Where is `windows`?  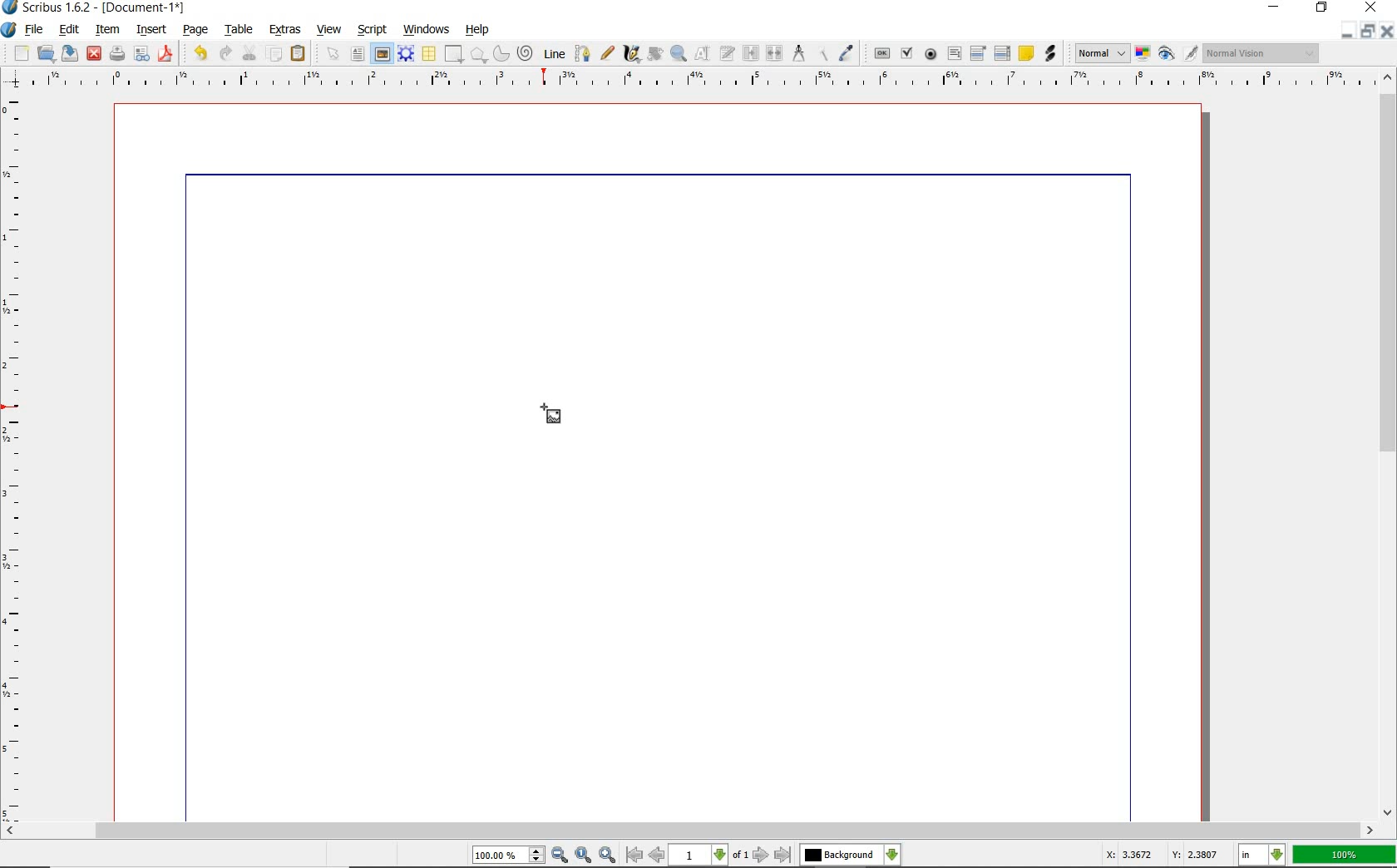
windows is located at coordinates (429, 28).